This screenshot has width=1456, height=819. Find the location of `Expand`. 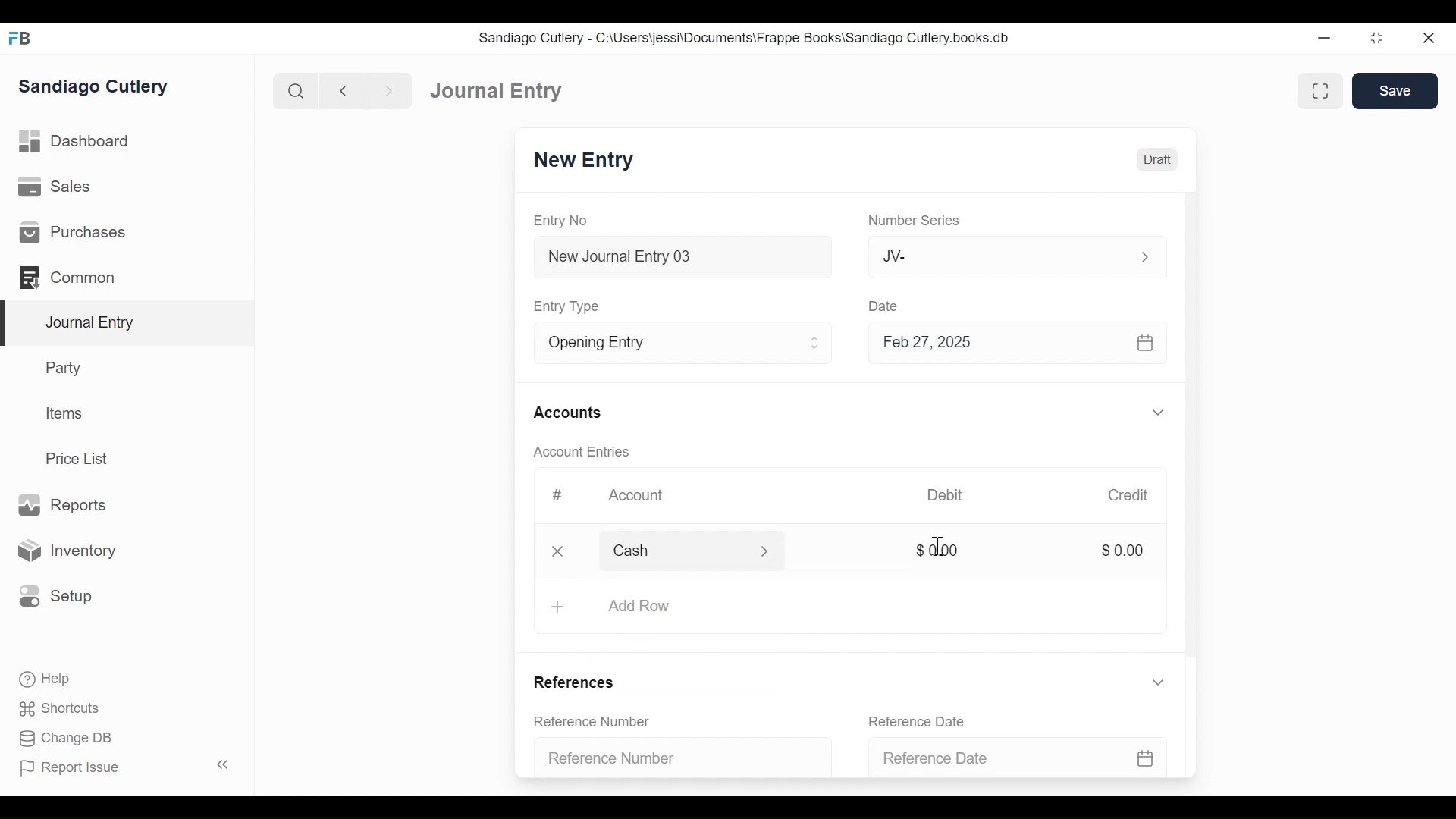

Expand is located at coordinates (816, 344).